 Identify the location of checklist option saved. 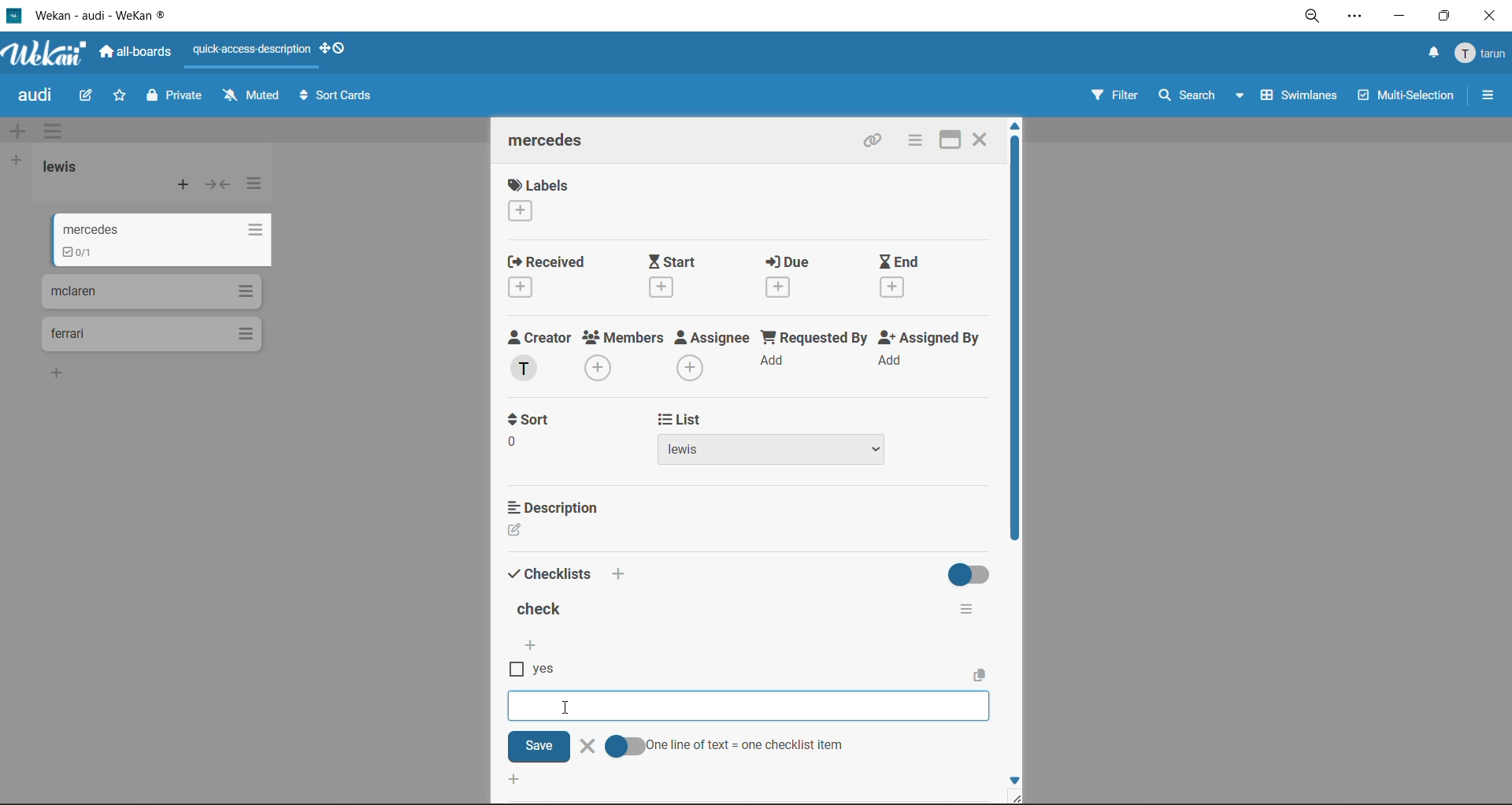
(538, 671).